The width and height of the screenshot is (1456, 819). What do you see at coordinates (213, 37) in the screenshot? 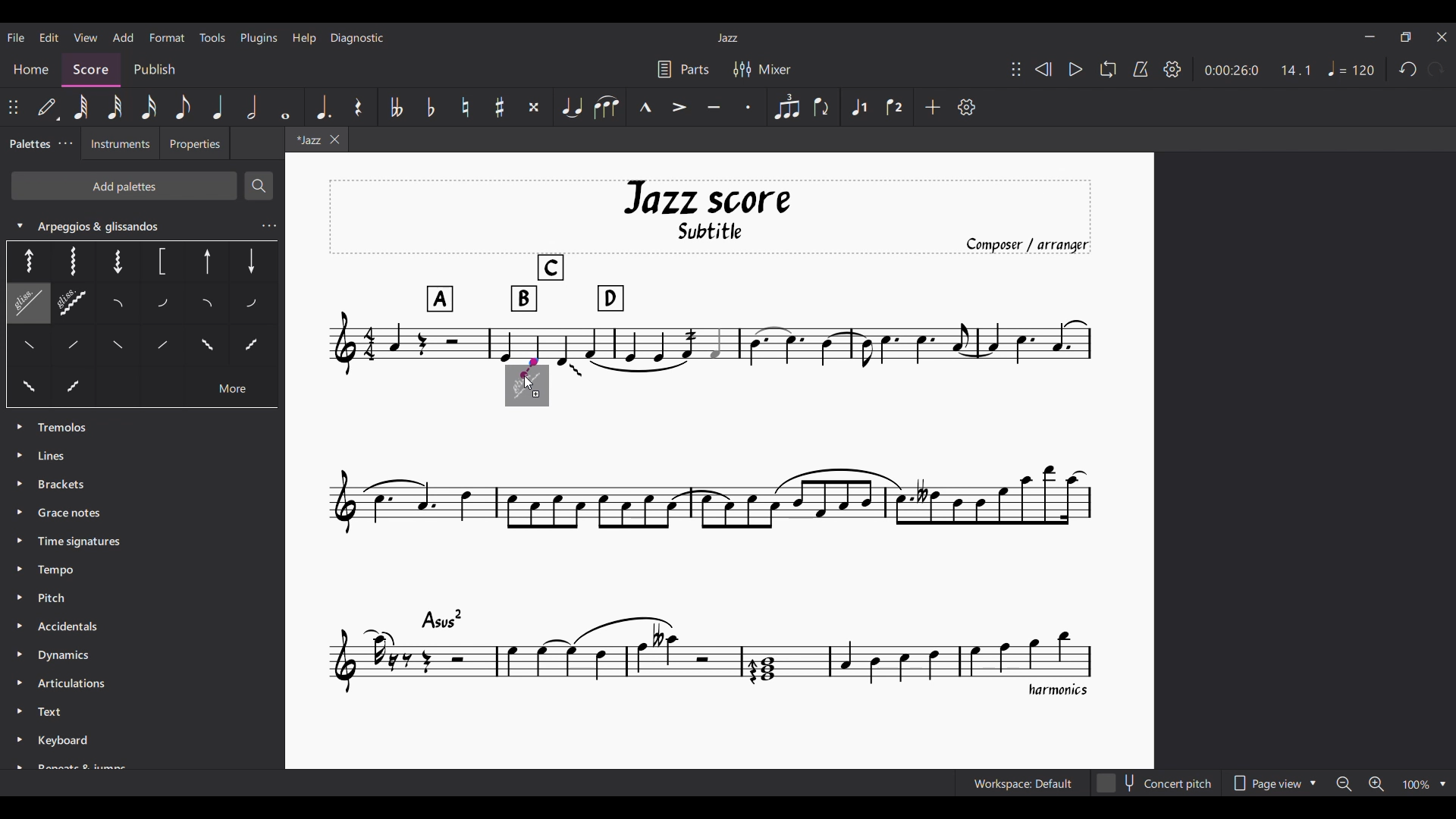
I see `Tools menu` at bounding box center [213, 37].